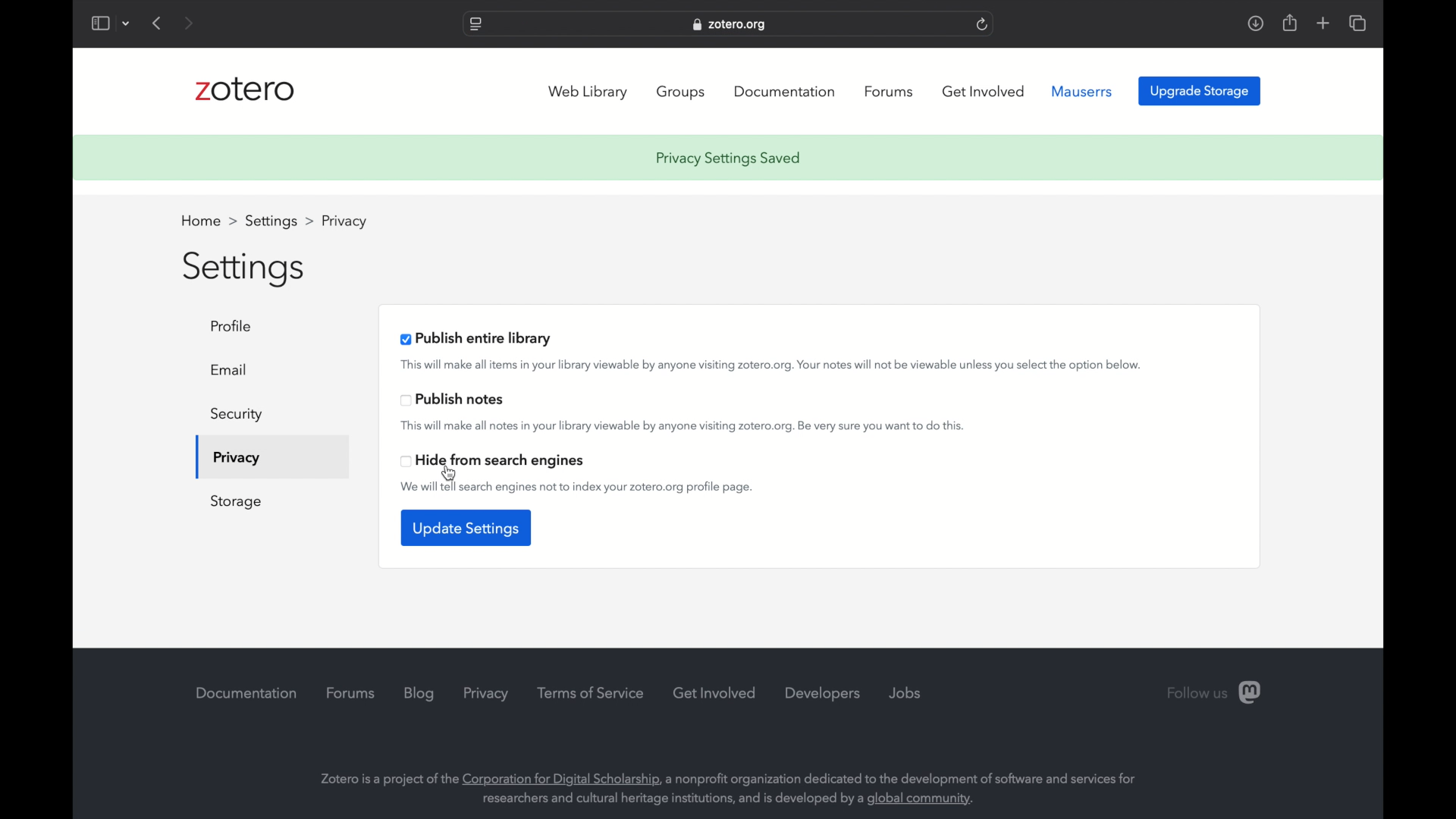 This screenshot has width=1456, height=819. What do you see at coordinates (351, 691) in the screenshot?
I see `forums` at bounding box center [351, 691].